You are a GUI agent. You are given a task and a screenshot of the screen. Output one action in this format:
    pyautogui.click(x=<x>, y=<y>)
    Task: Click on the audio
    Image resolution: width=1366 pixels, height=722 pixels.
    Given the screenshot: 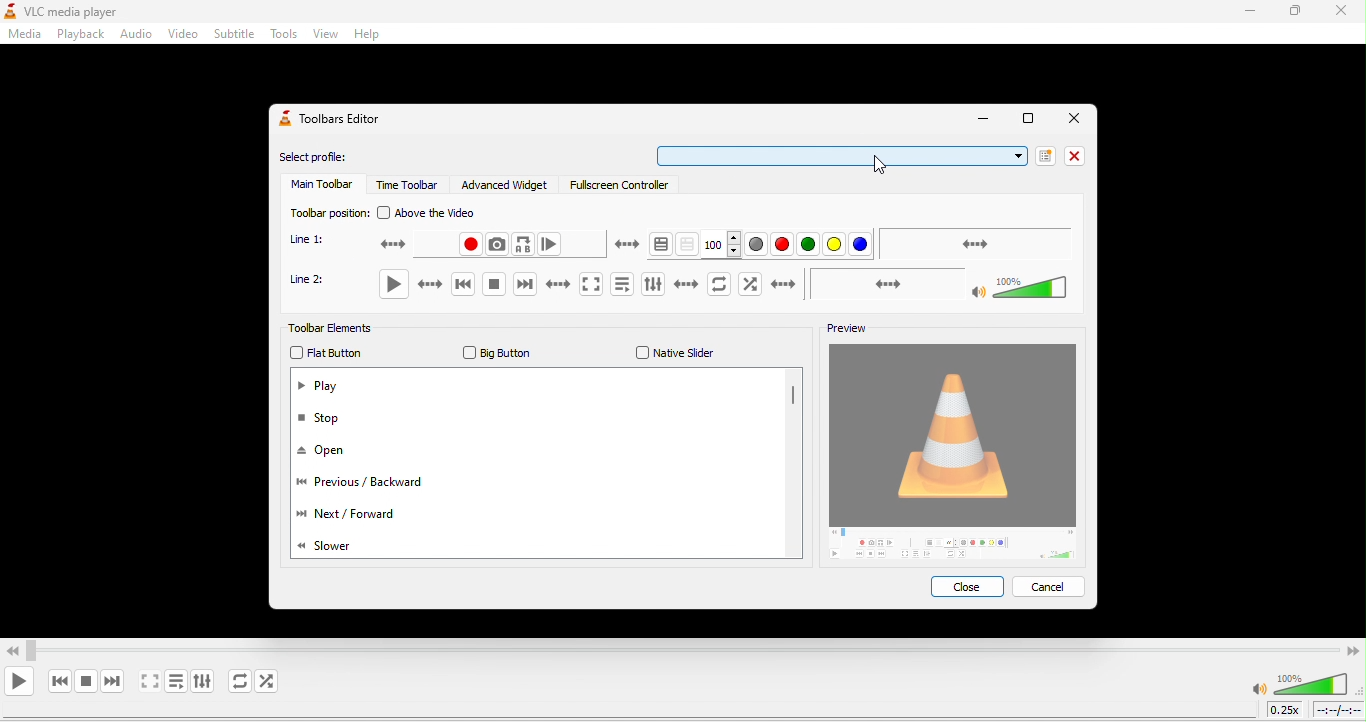 What is the action you would take?
    pyautogui.click(x=137, y=34)
    